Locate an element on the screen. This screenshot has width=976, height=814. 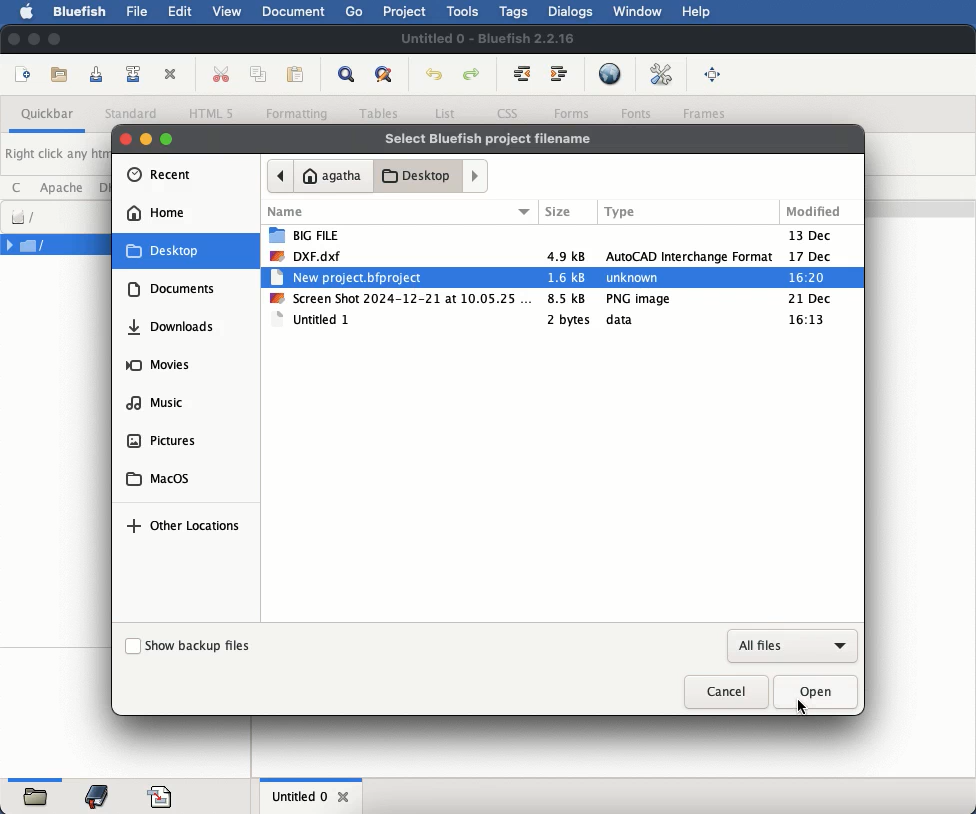
tags is located at coordinates (517, 11).